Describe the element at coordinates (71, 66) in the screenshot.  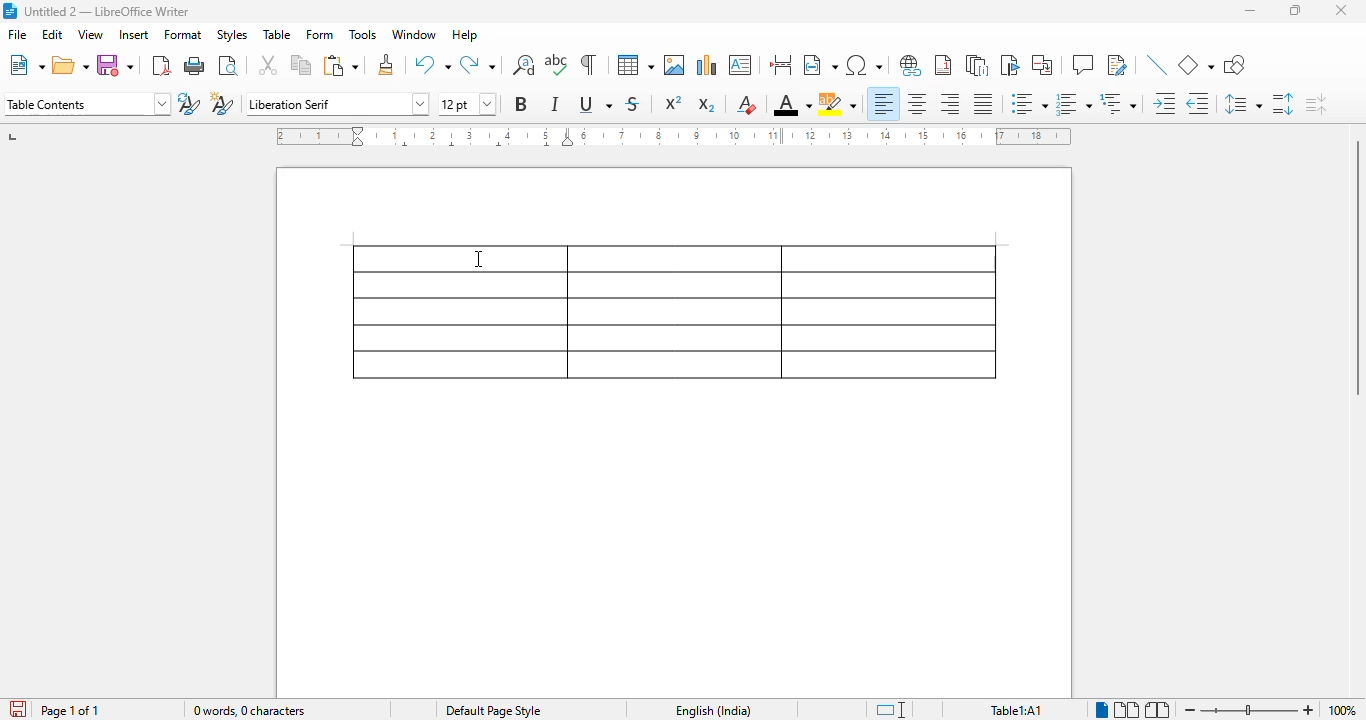
I see `open` at that location.